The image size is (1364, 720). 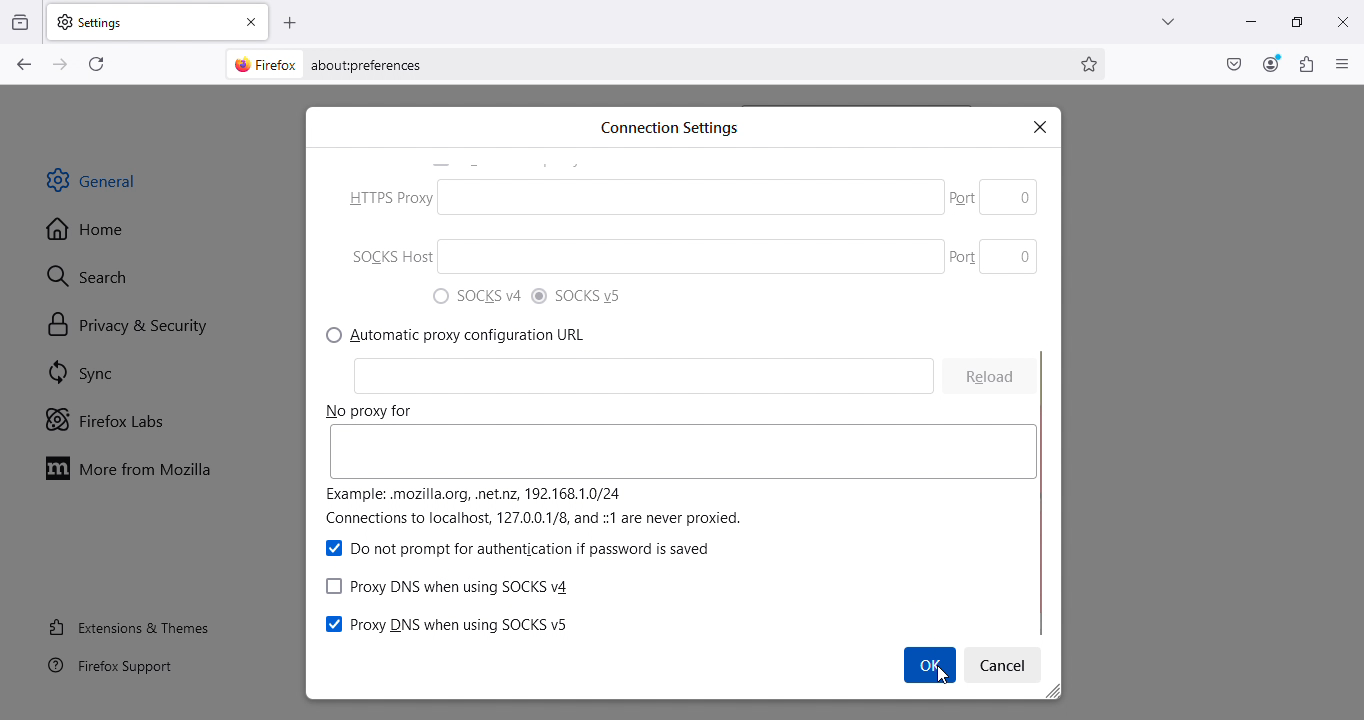 What do you see at coordinates (942, 680) in the screenshot?
I see `cursor` at bounding box center [942, 680].